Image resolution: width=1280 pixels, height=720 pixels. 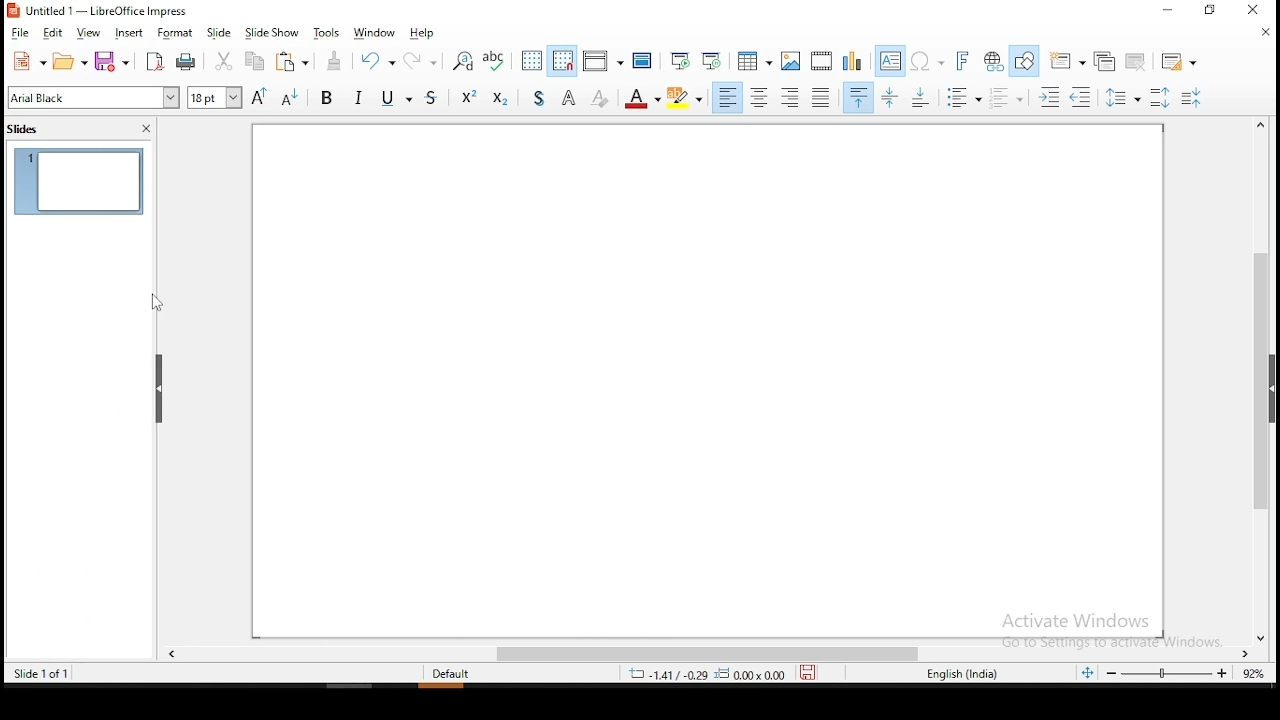 What do you see at coordinates (339, 63) in the screenshot?
I see `clone formatting` at bounding box center [339, 63].